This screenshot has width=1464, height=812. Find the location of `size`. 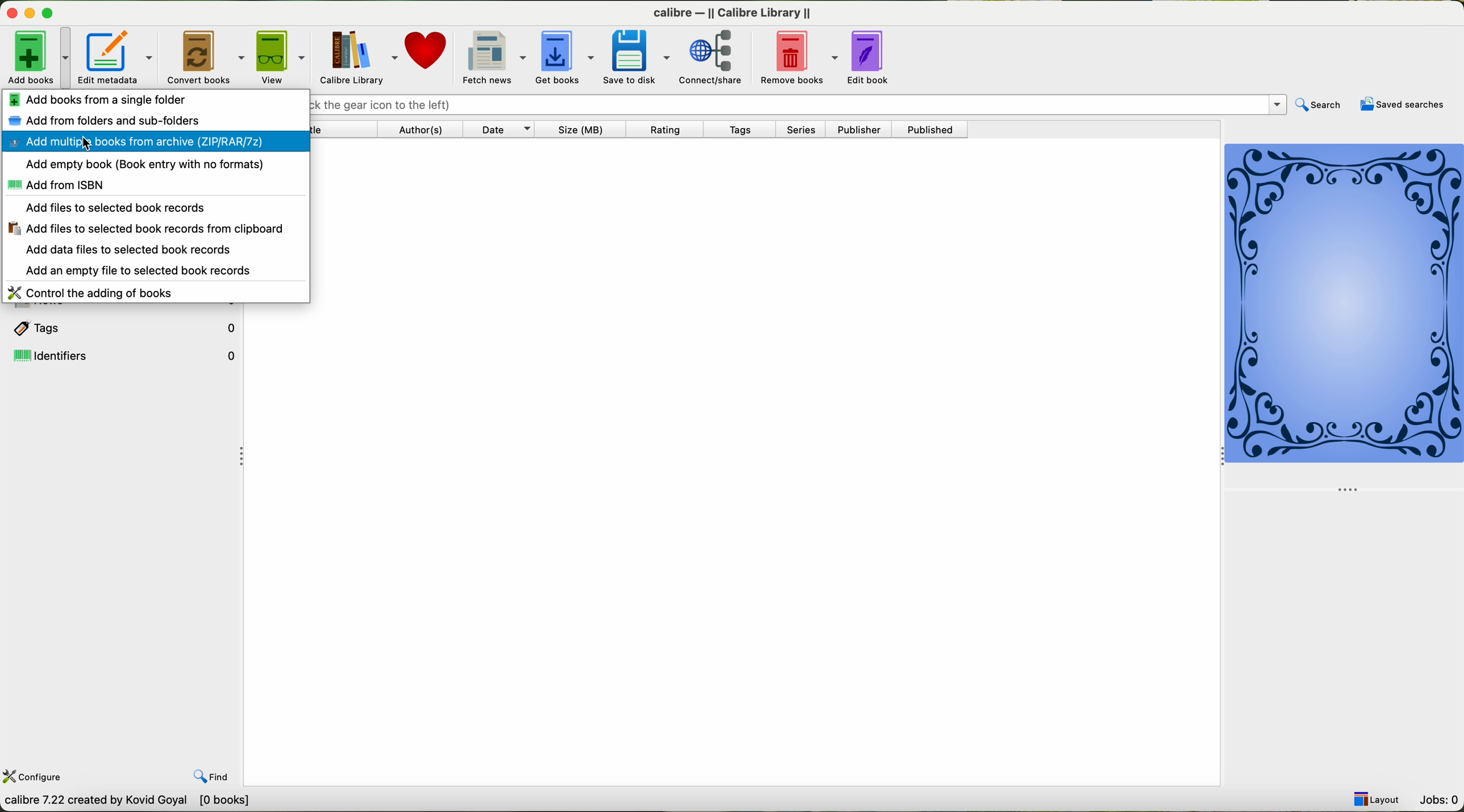

size is located at coordinates (585, 130).